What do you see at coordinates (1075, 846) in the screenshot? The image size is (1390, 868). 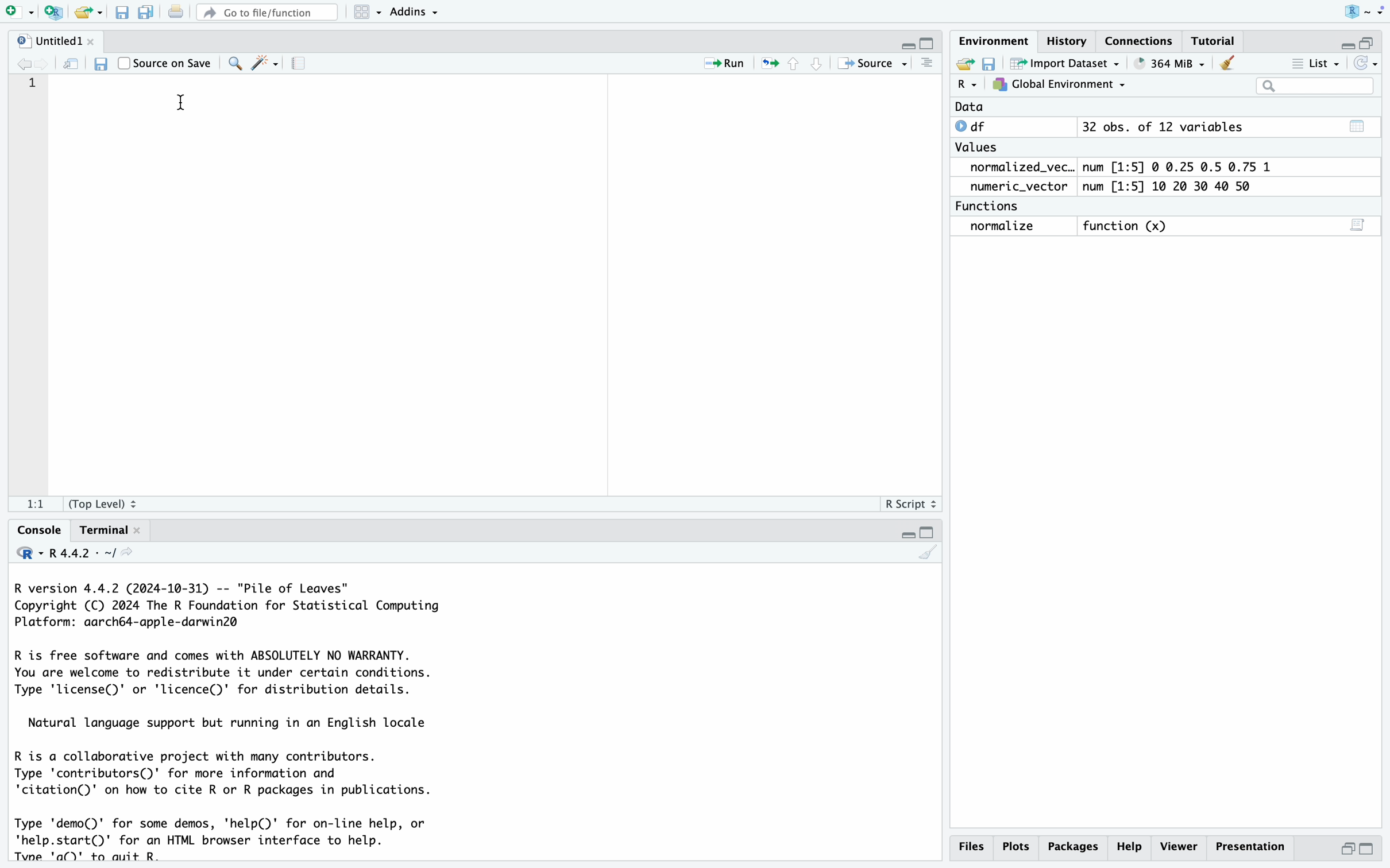 I see `Packages` at bounding box center [1075, 846].